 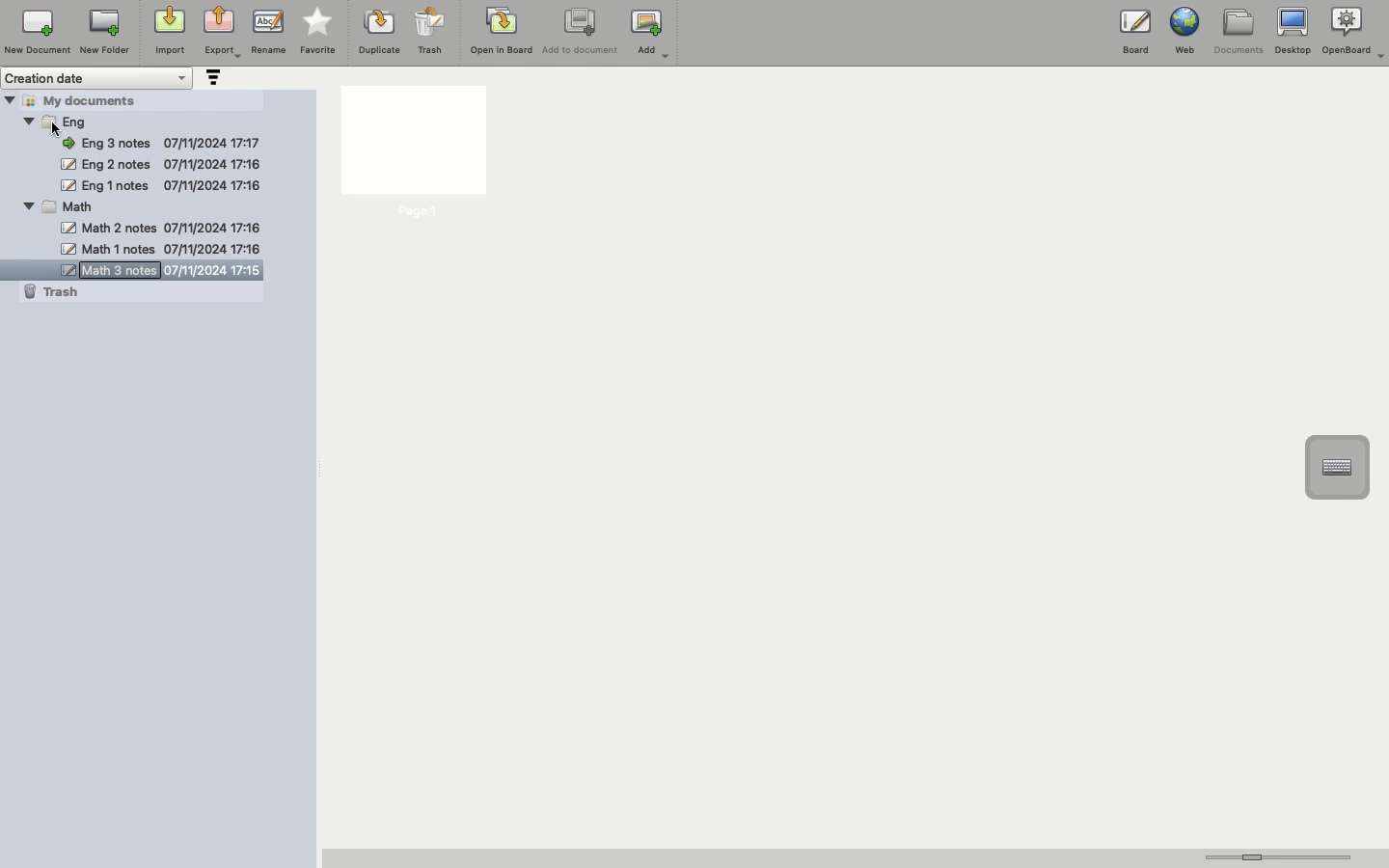 I want to click on Desktop, so click(x=1293, y=32).